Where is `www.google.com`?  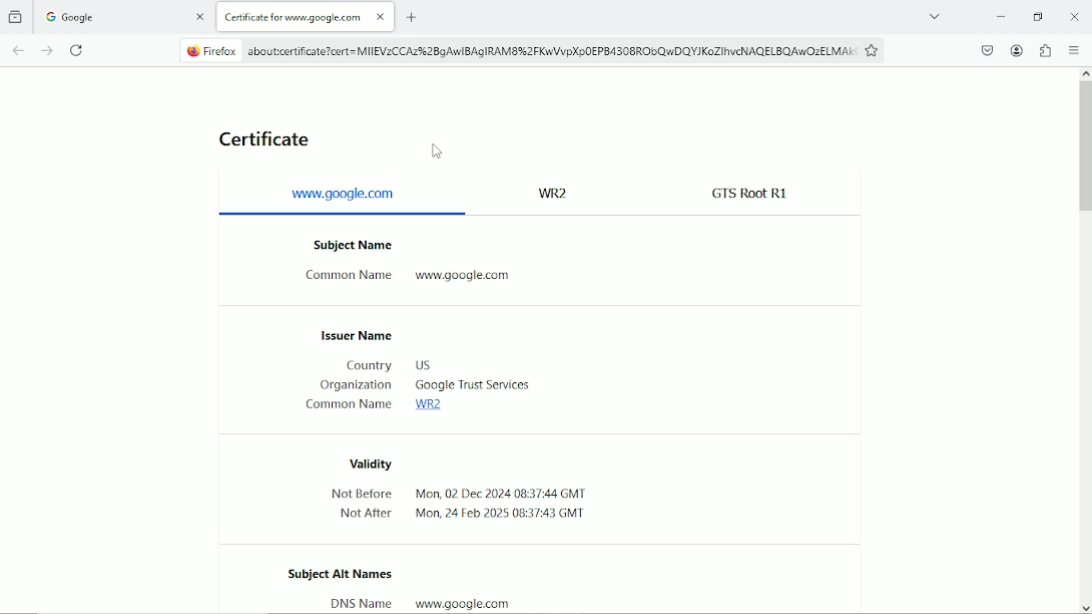
www.google.com is located at coordinates (460, 603).